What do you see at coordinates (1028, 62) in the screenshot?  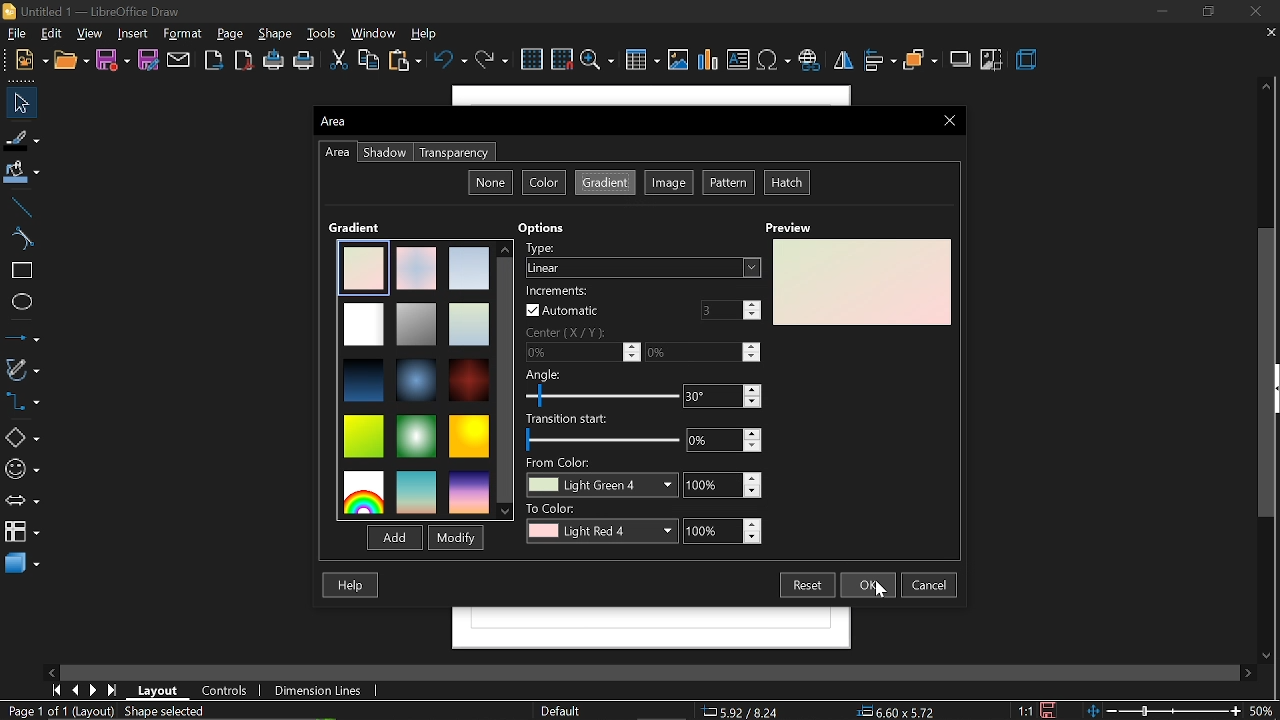 I see `3d effect` at bounding box center [1028, 62].